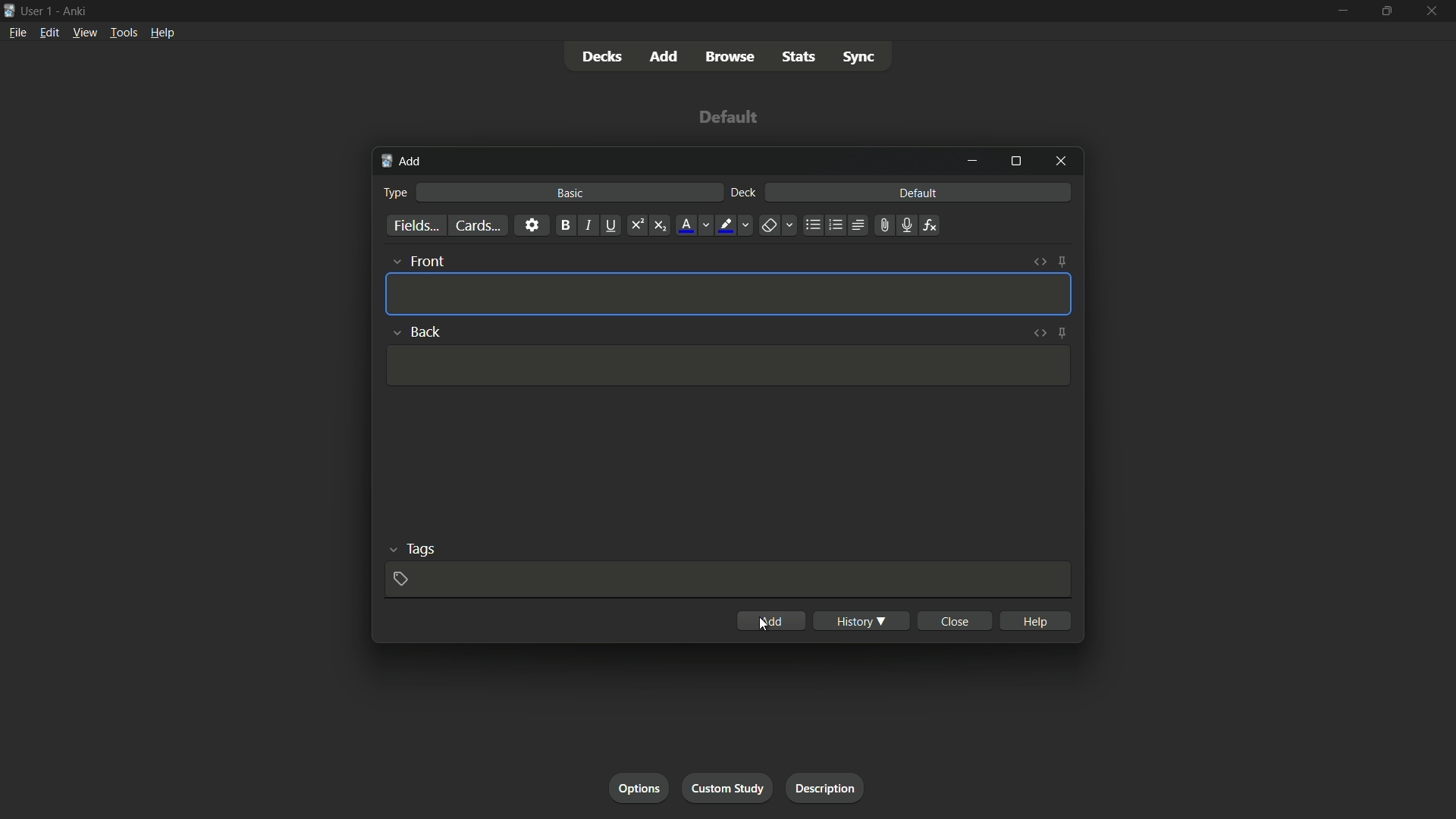  Describe the element at coordinates (836, 226) in the screenshot. I see `ordered list` at that location.